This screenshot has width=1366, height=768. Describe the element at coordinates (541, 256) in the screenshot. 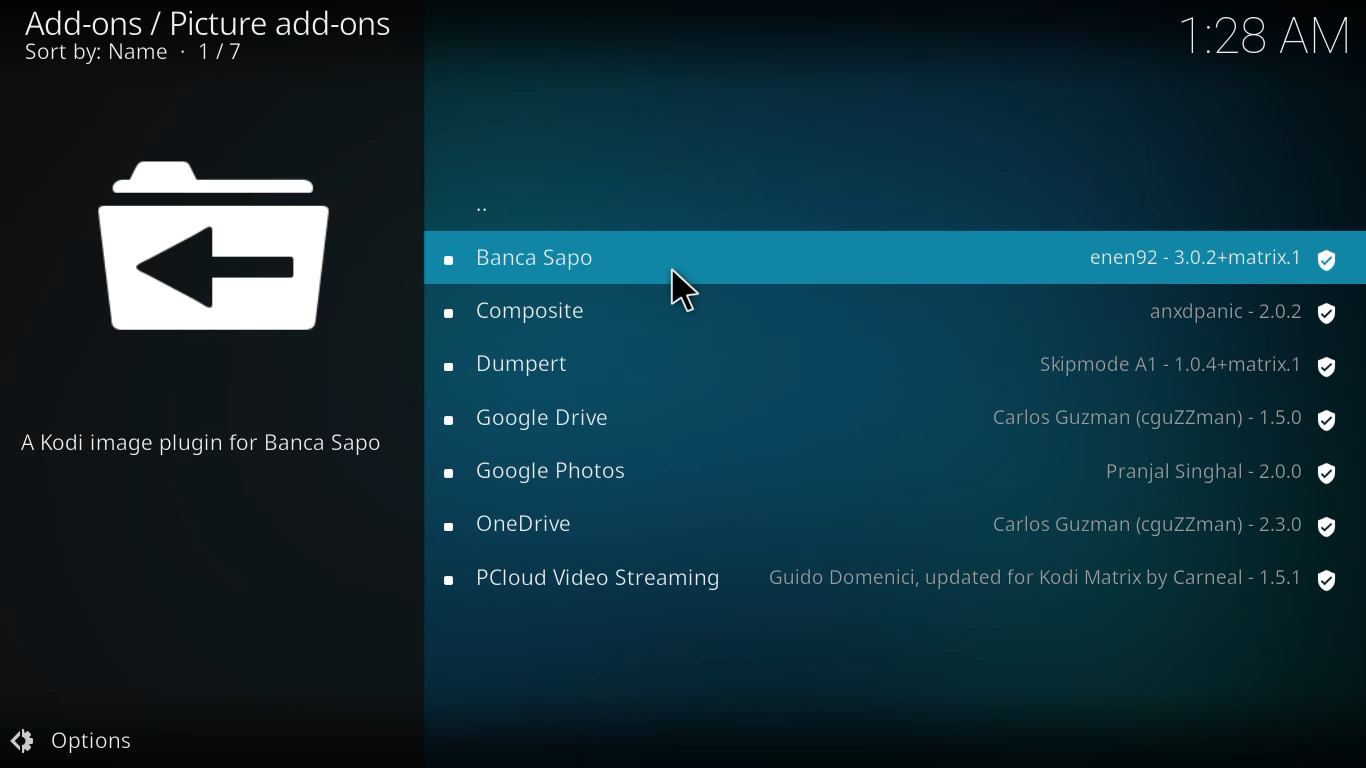

I see `banca sapo` at that location.